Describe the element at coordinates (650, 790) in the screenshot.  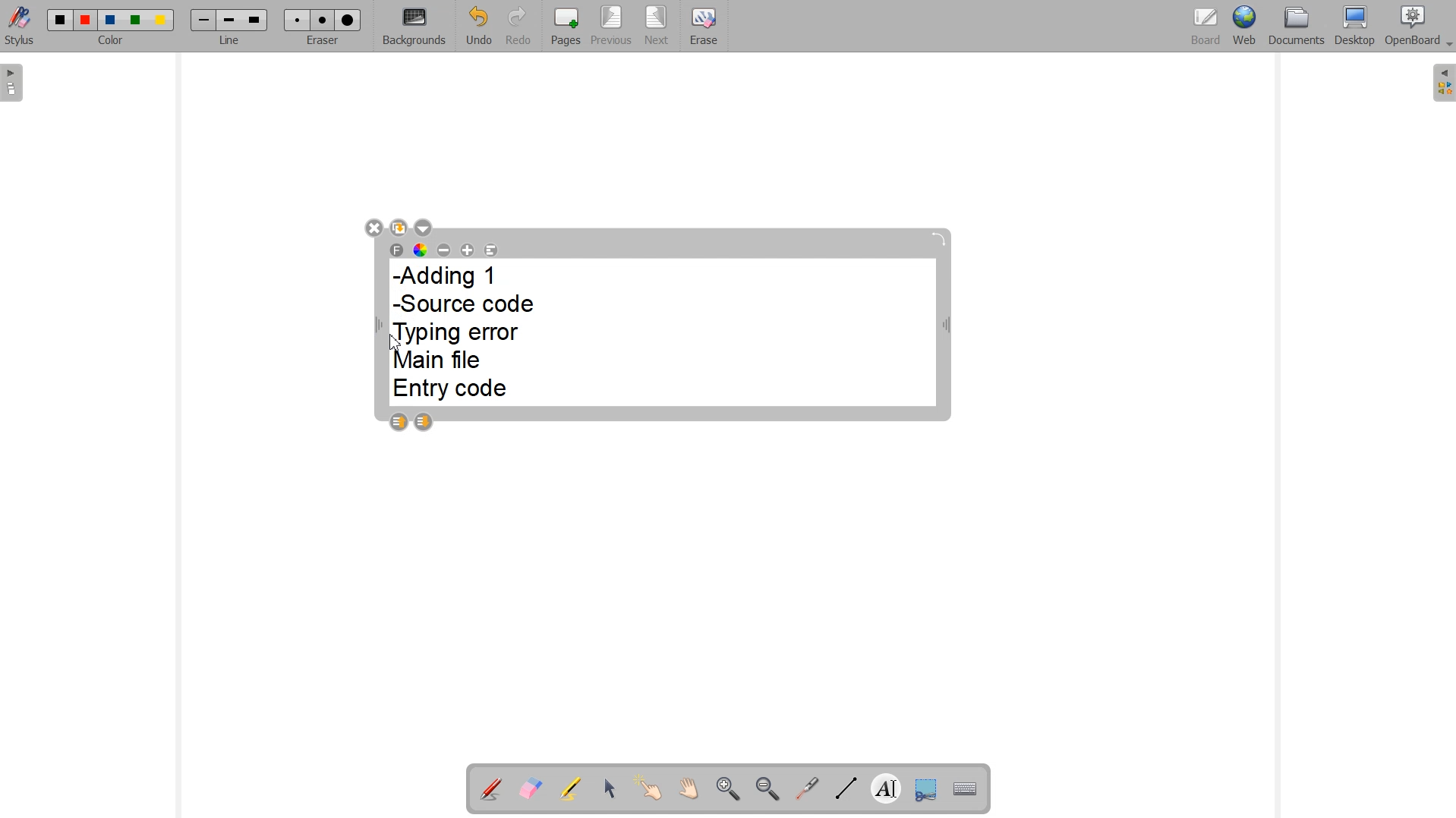
I see `Interact with items` at that location.